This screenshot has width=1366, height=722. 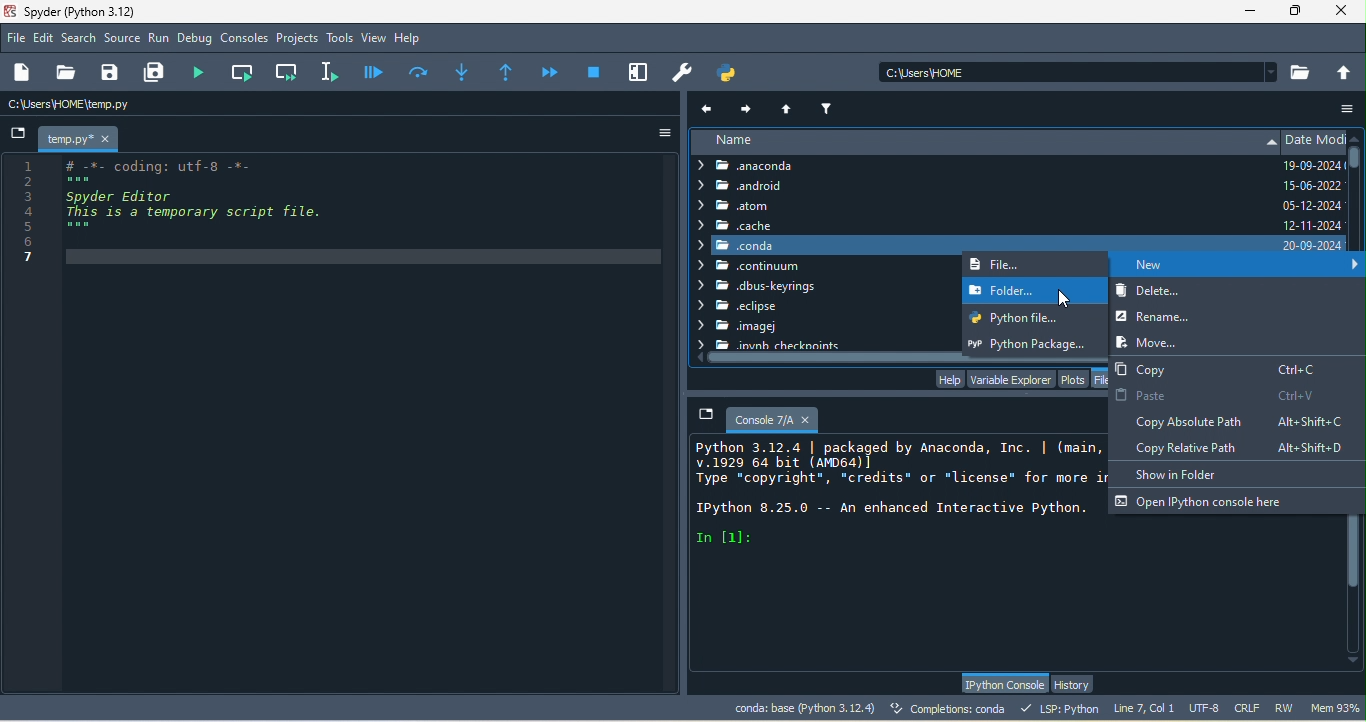 I want to click on c\users\home, so click(x=1078, y=71).